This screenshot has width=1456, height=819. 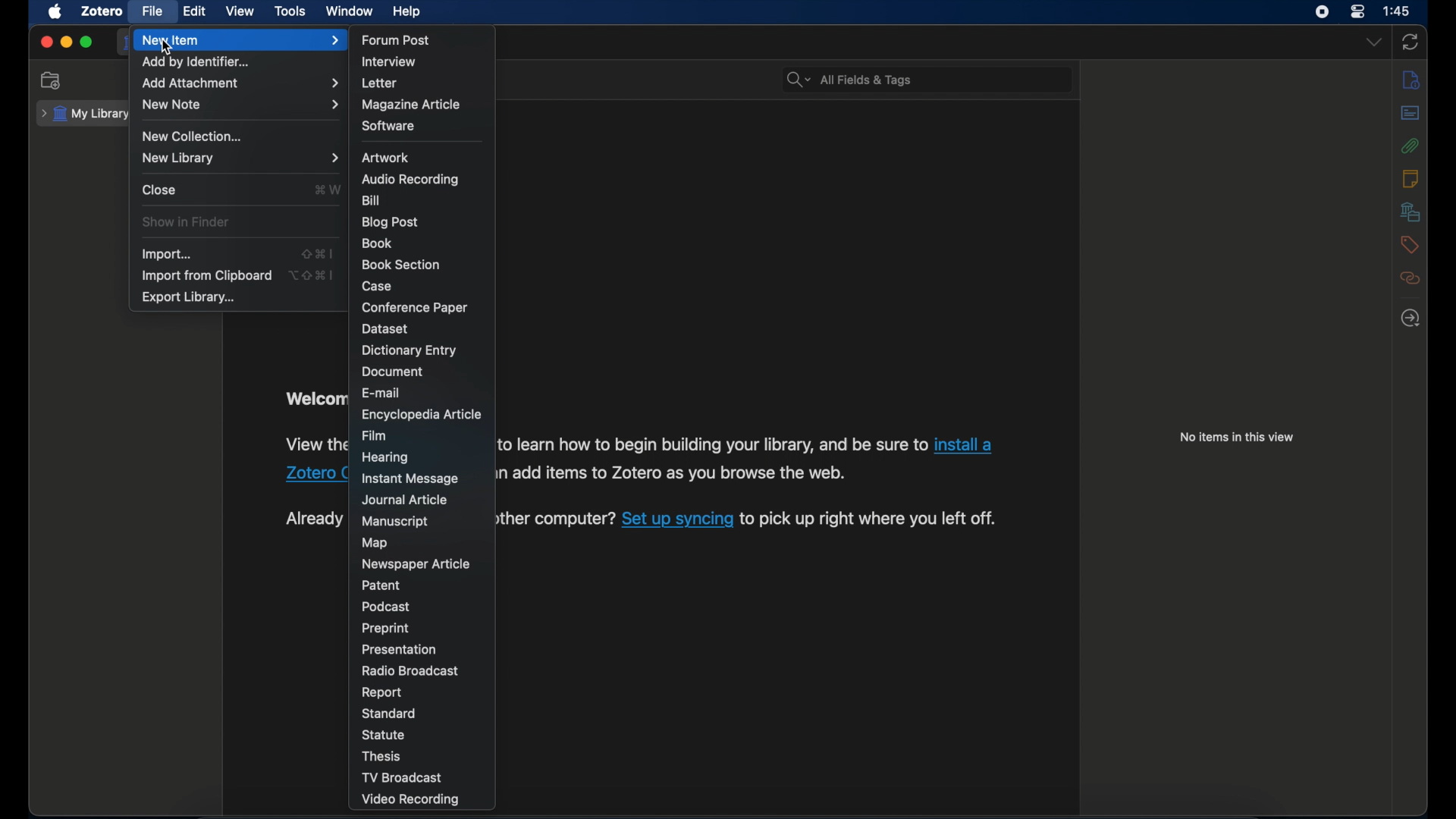 What do you see at coordinates (381, 585) in the screenshot?
I see `patent` at bounding box center [381, 585].